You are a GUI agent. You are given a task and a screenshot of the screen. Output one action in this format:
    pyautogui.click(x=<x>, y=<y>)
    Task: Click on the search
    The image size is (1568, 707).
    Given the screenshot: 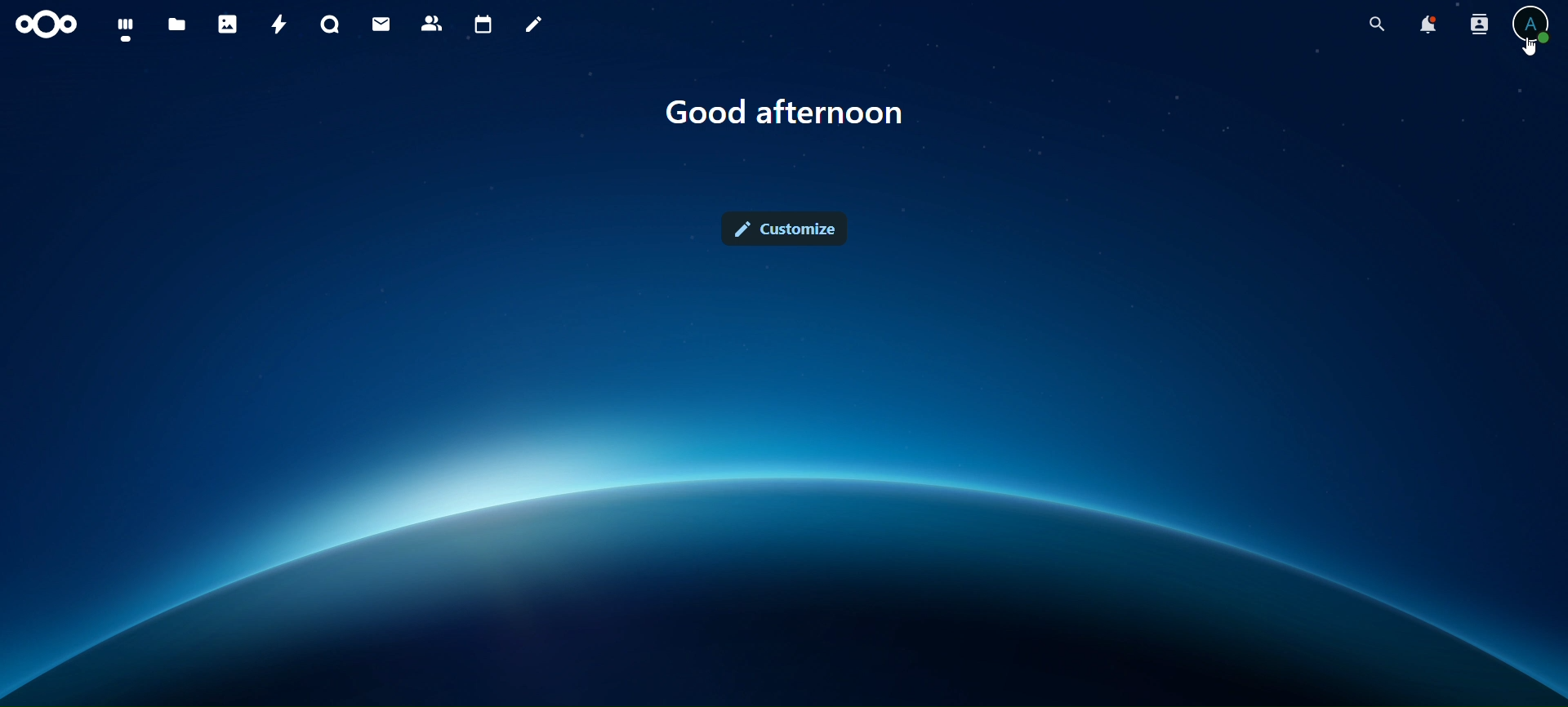 What is the action you would take?
    pyautogui.click(x=1374, y=24)
    